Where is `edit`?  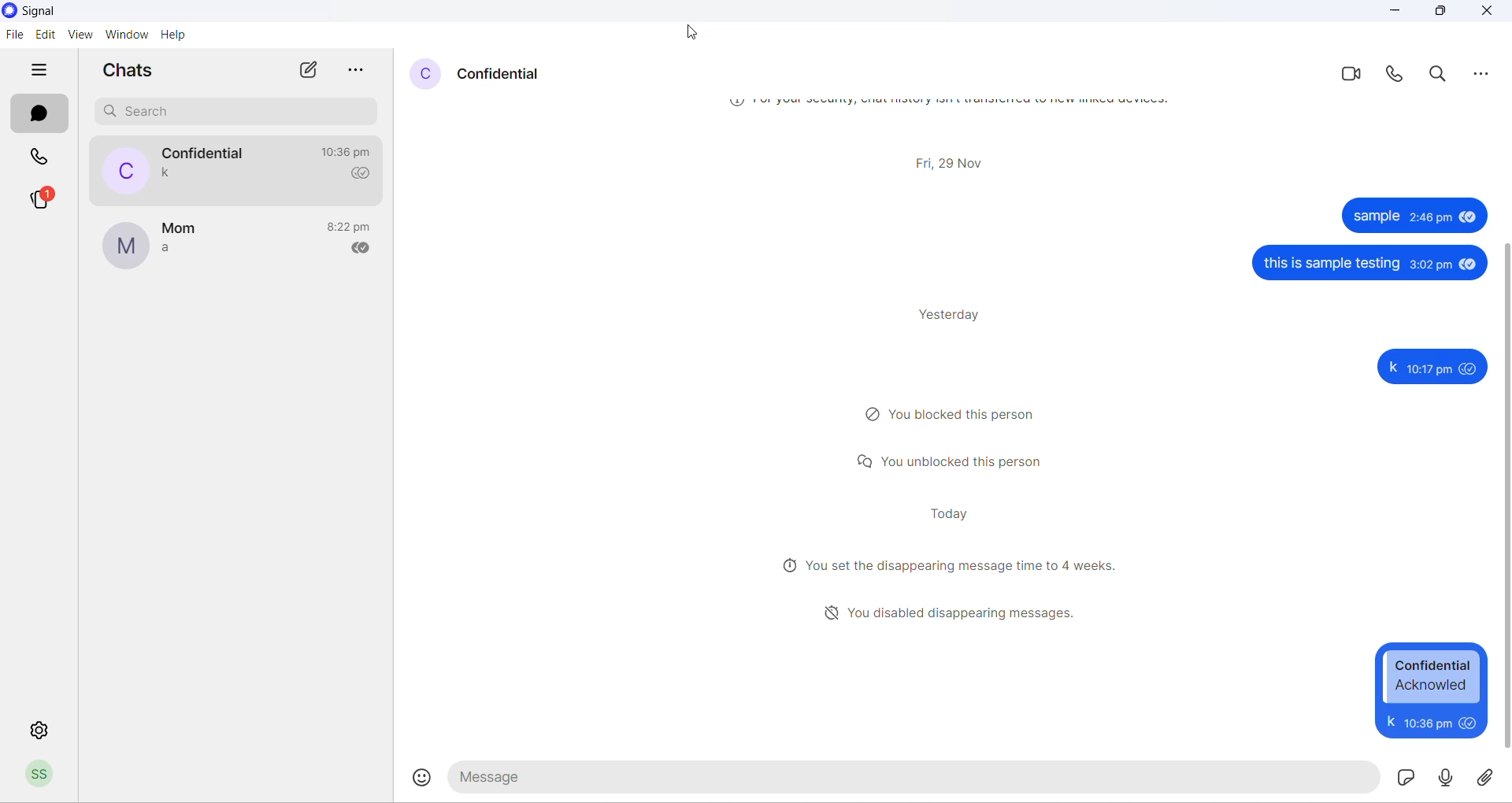 edit is located at coordinates (45, 35).